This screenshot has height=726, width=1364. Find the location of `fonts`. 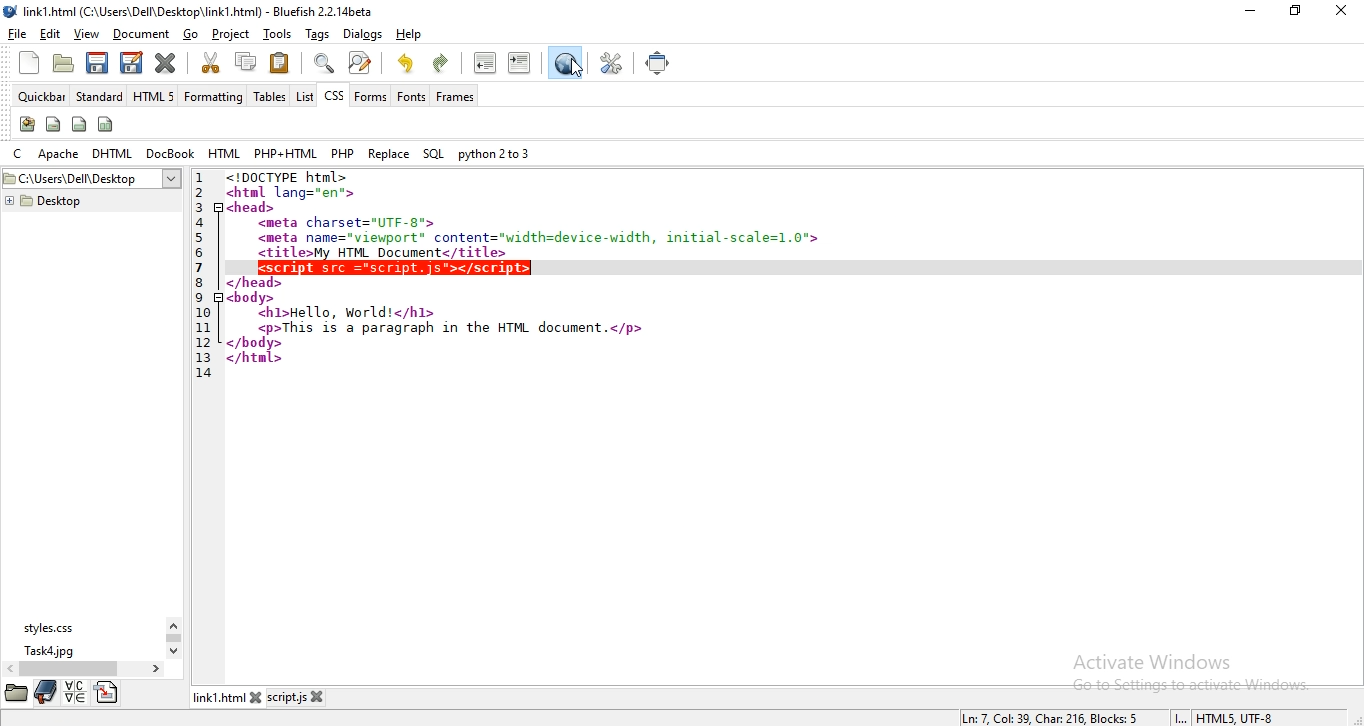

fonts is located at coordinates (410, 96).